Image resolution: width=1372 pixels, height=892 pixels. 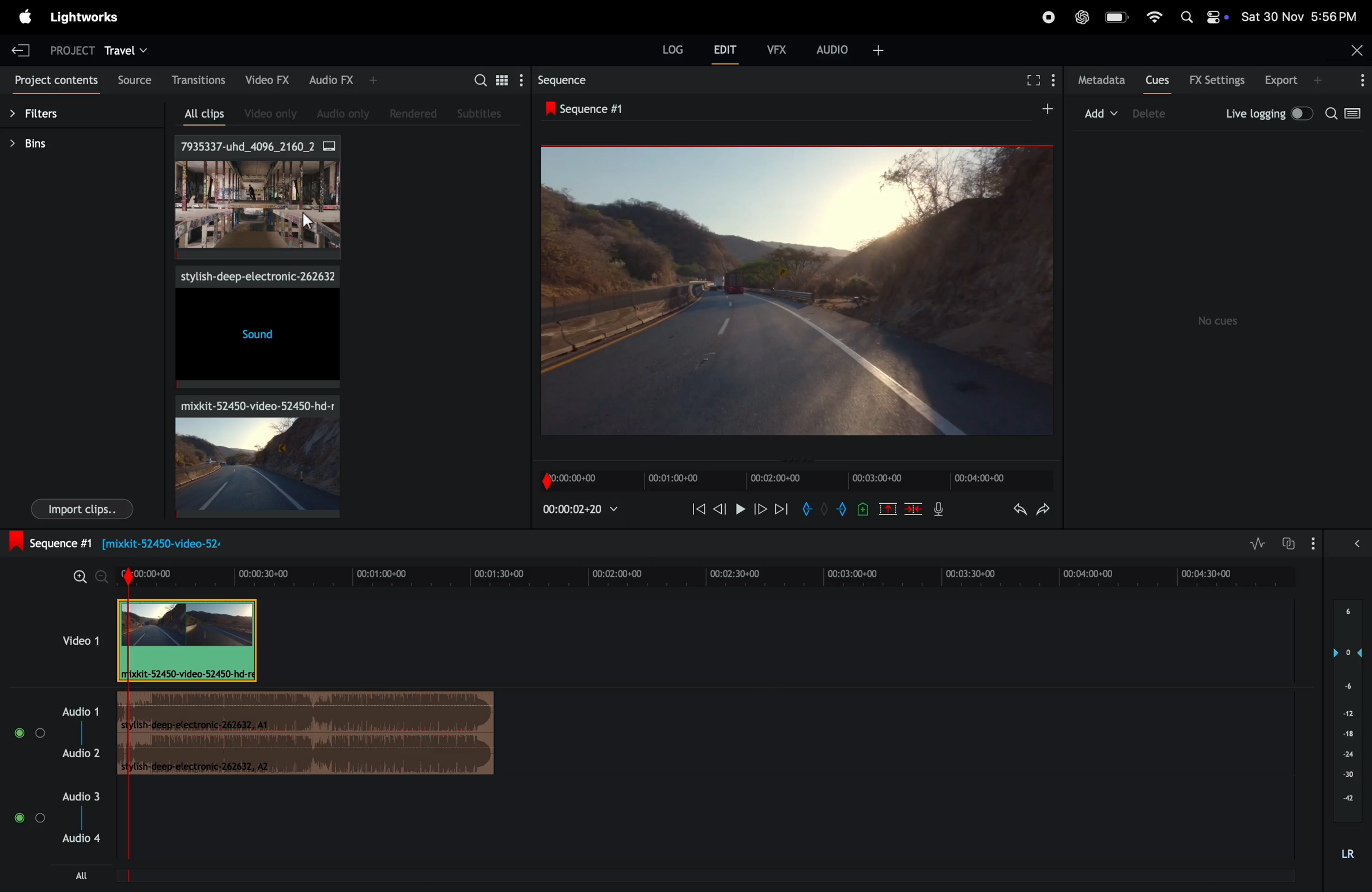 I want to click on log, so click(x=665, y=50).